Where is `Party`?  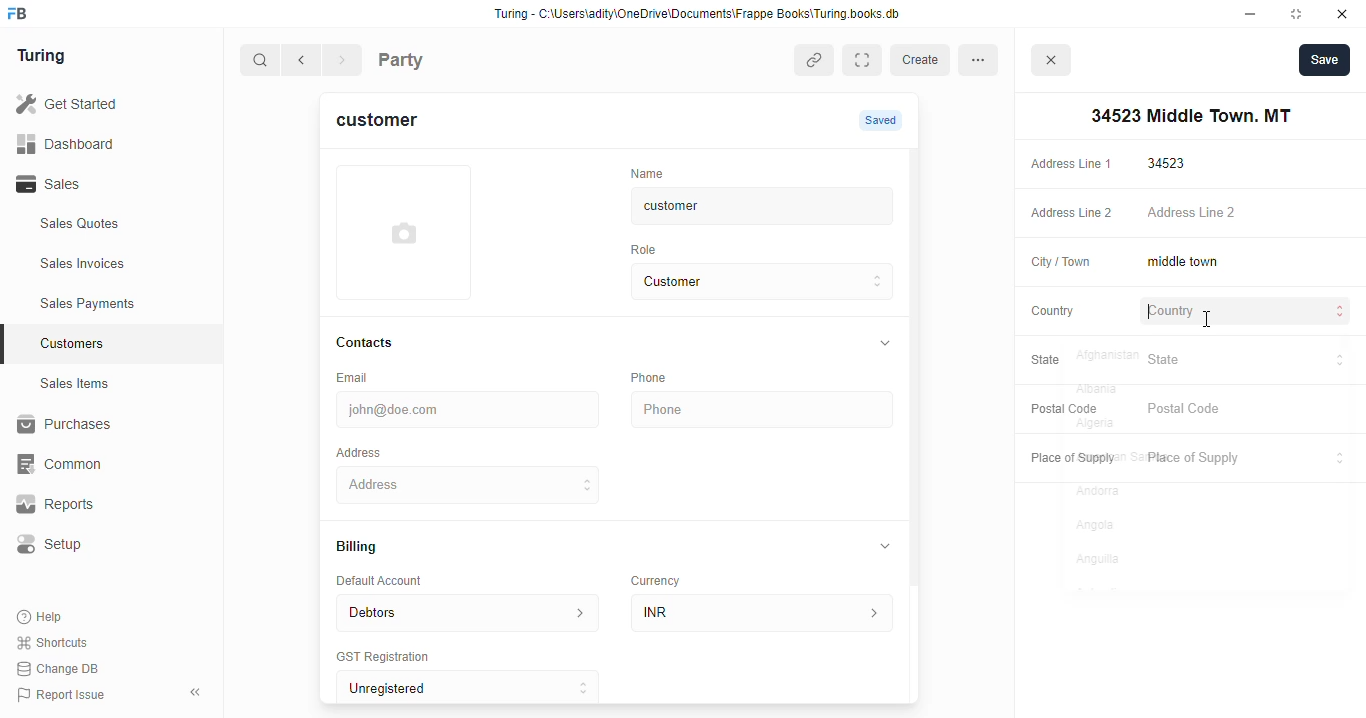
Party is located at coordinates (442, 58).